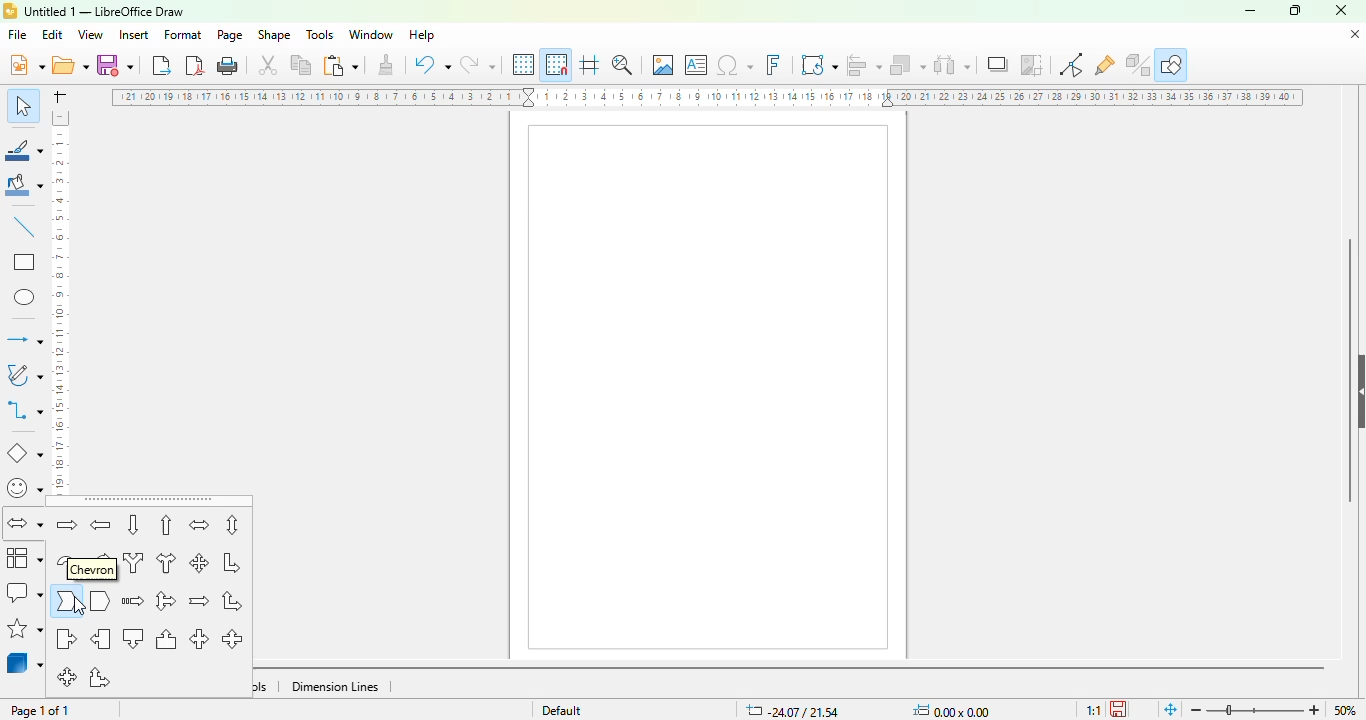 Image resolution: width=1366 pixels, height=720 pixels. What do you see at coordinates (166, 563) in the screenshot?
I see `right or left arrow` at bounding box center [166, 563].